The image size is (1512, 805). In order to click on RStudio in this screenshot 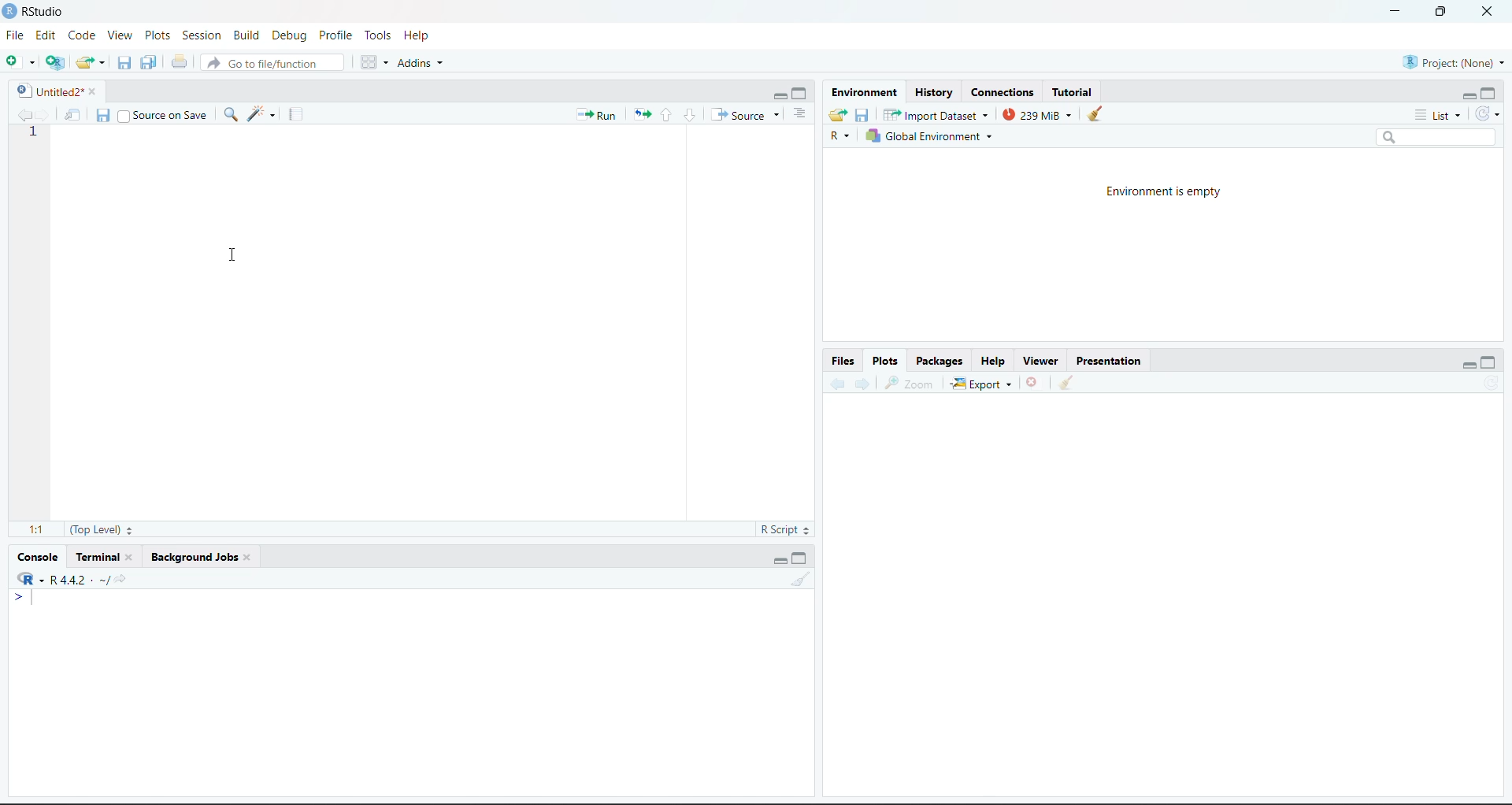, I will do `click(36, 13)`.